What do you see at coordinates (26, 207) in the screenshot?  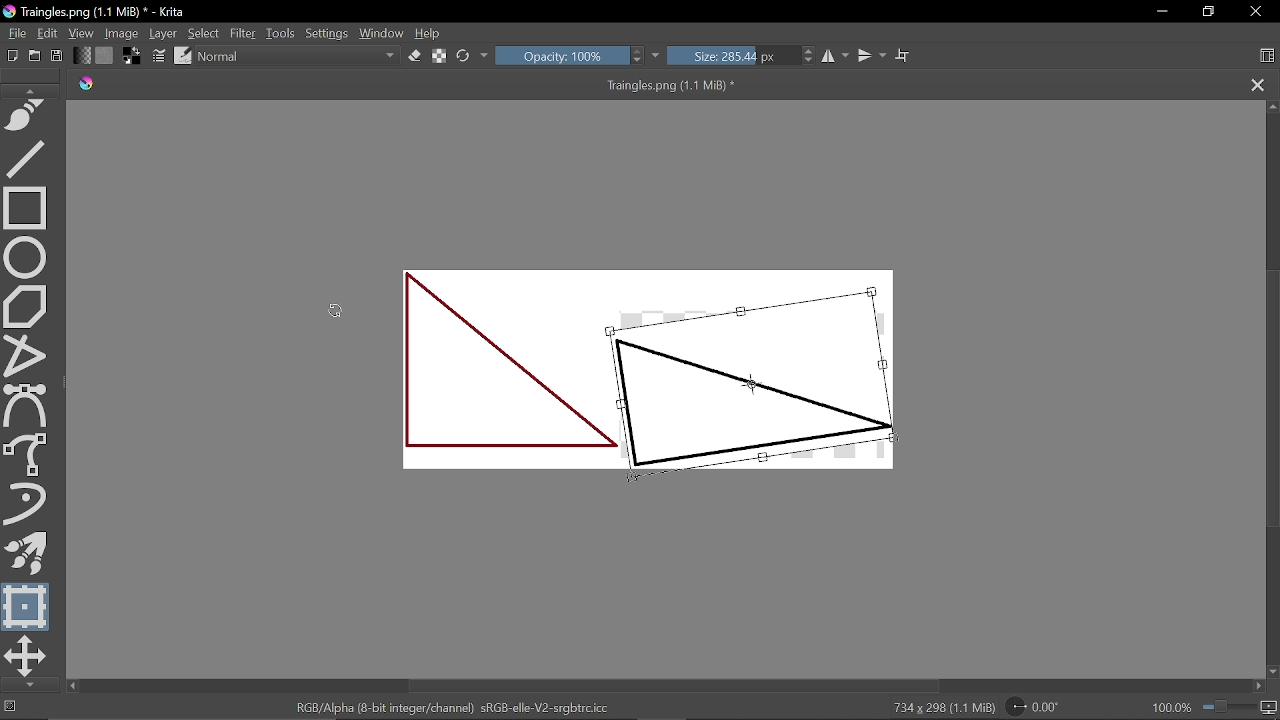 I see `Rectangle tool` at bounding box center [26, 207].